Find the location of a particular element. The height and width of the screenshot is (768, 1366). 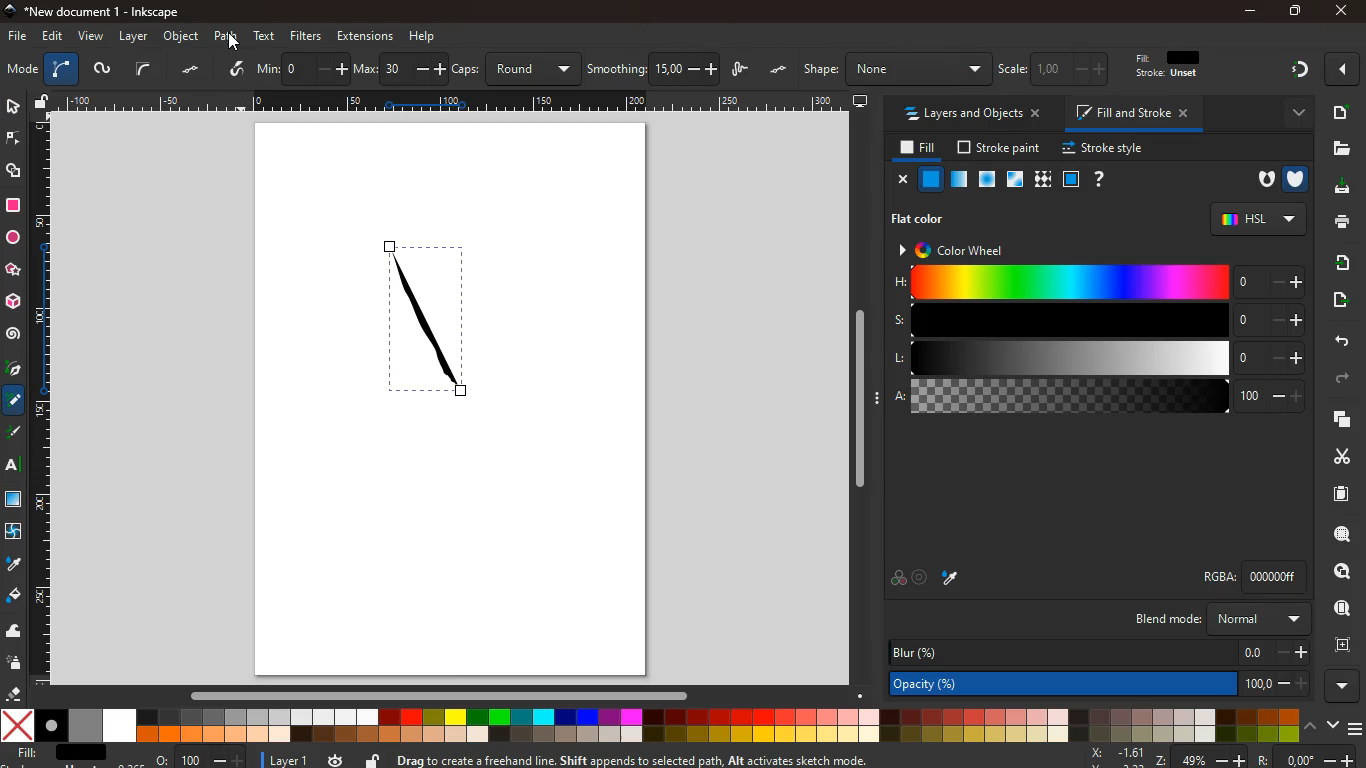

3d tool is located at coordinates (12, 302).